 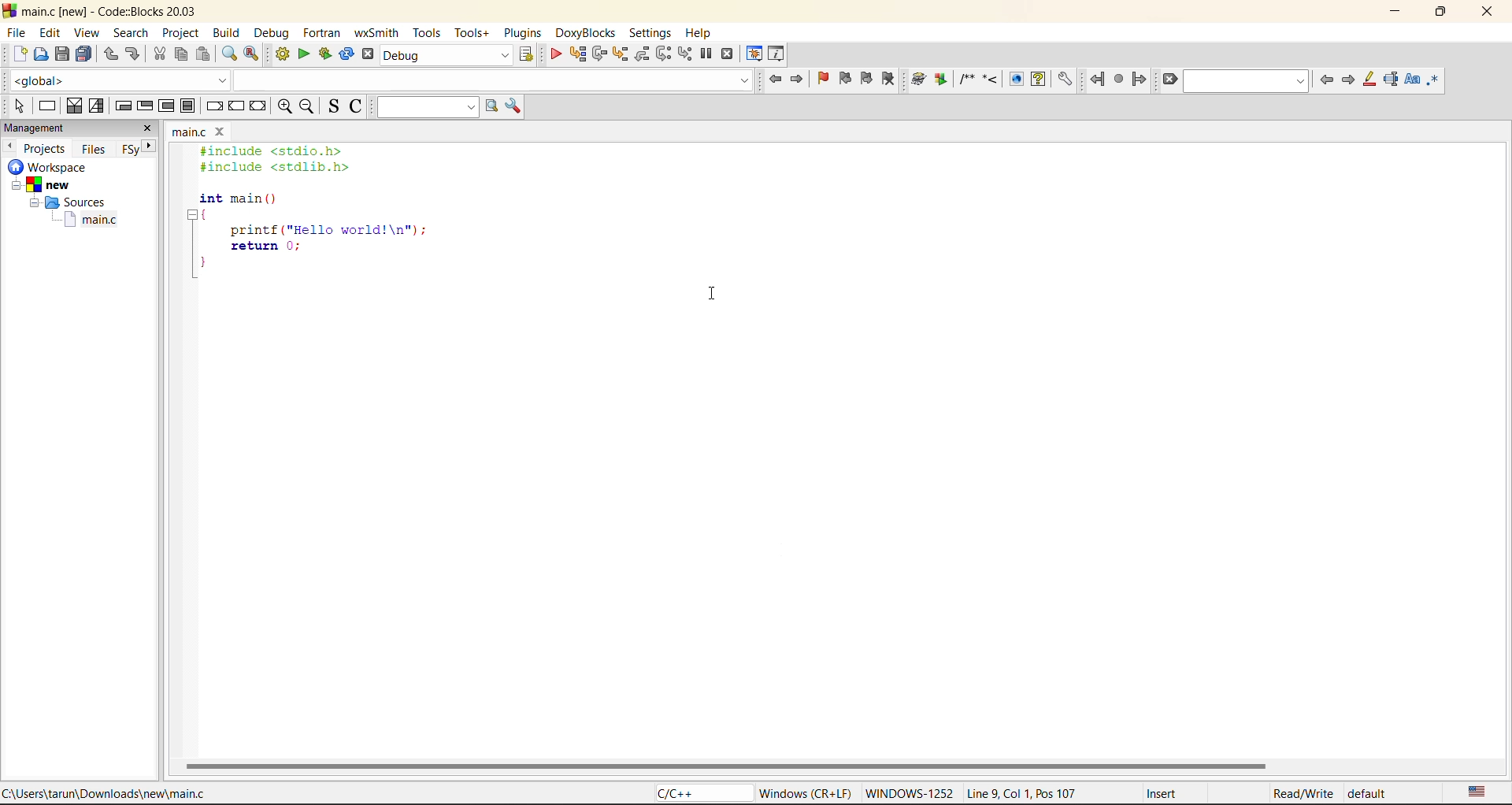 What do you see at coordinates (1139, 79) in the screenshot?
I see `jump forward` at bounding box center [1139, 79].